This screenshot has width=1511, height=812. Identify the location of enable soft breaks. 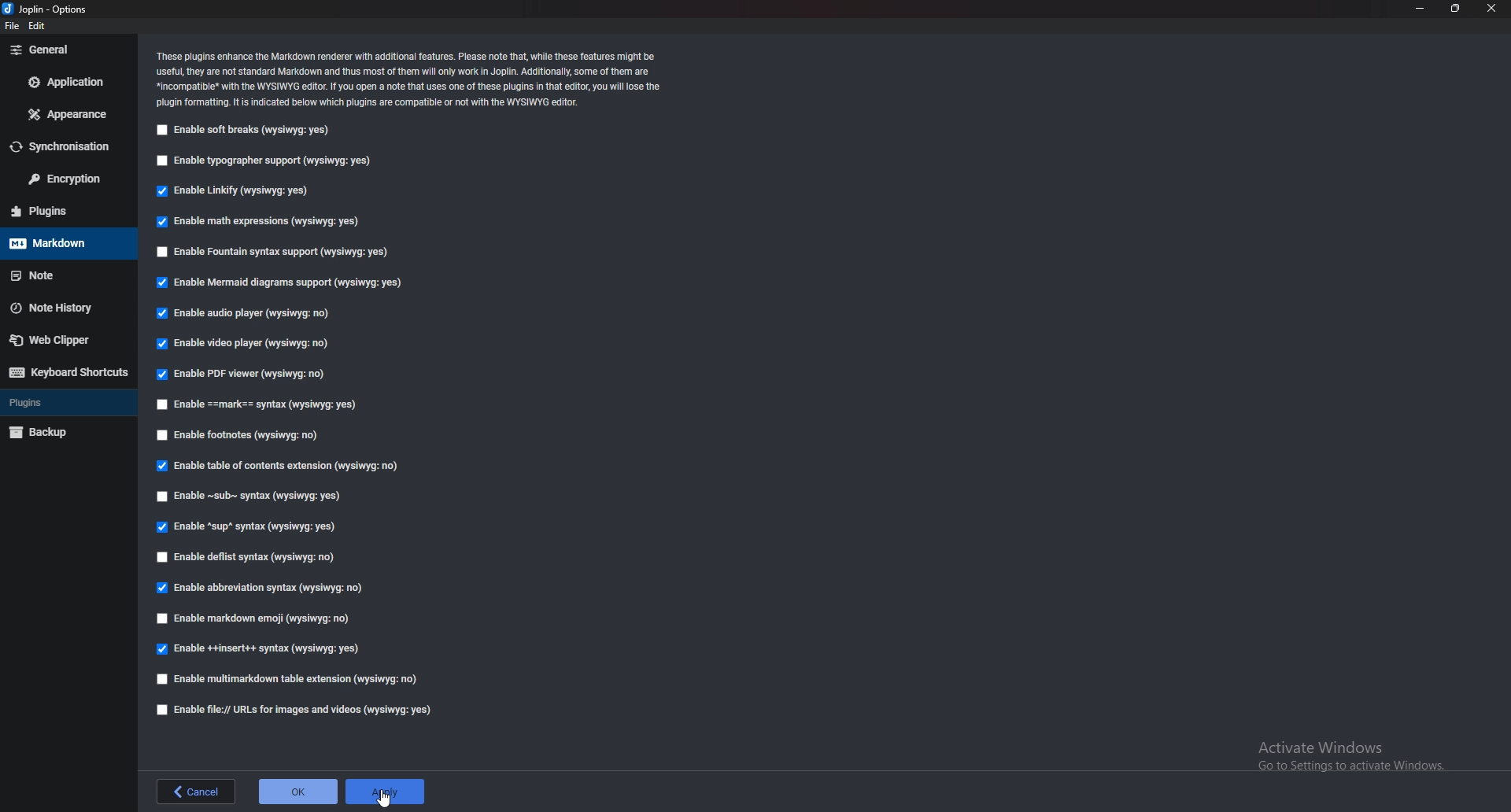
(244, 131).